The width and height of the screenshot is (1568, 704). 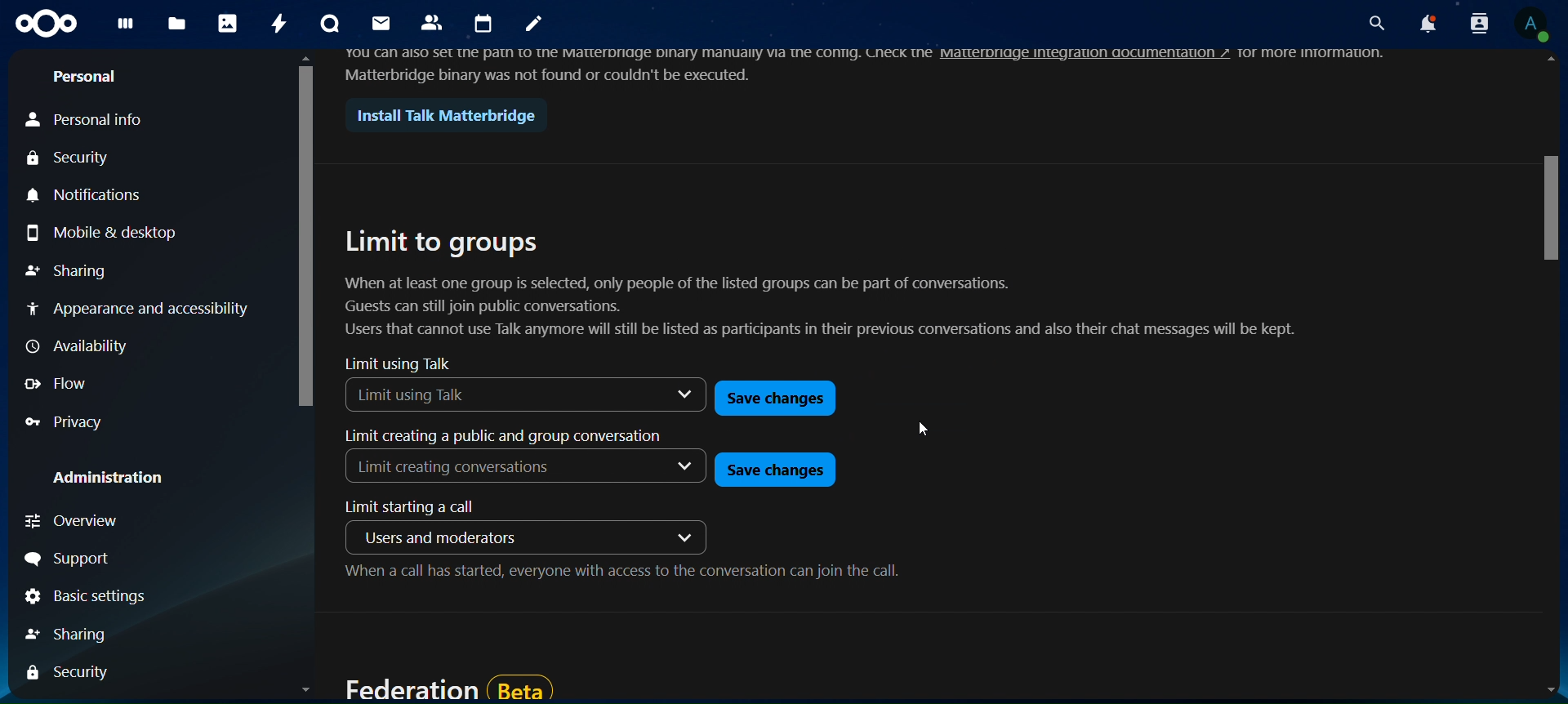 What do you see at coordinates (72, 159) in the screenshot?
I see `security` at bounding box center [72, 159].